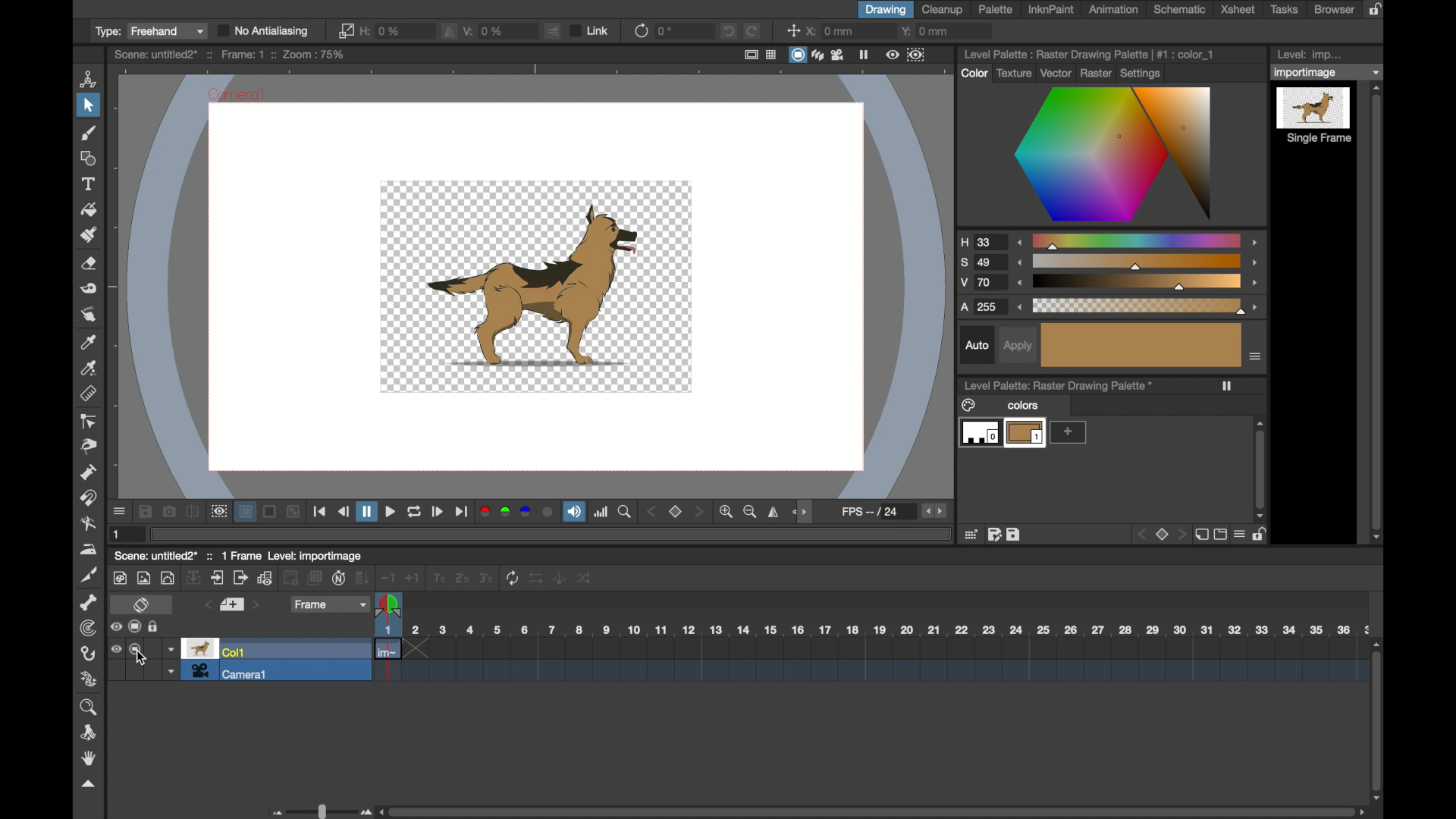 The height and width of the screenshot is (819, 1456). I want to click on texture, so click(1012, 73).